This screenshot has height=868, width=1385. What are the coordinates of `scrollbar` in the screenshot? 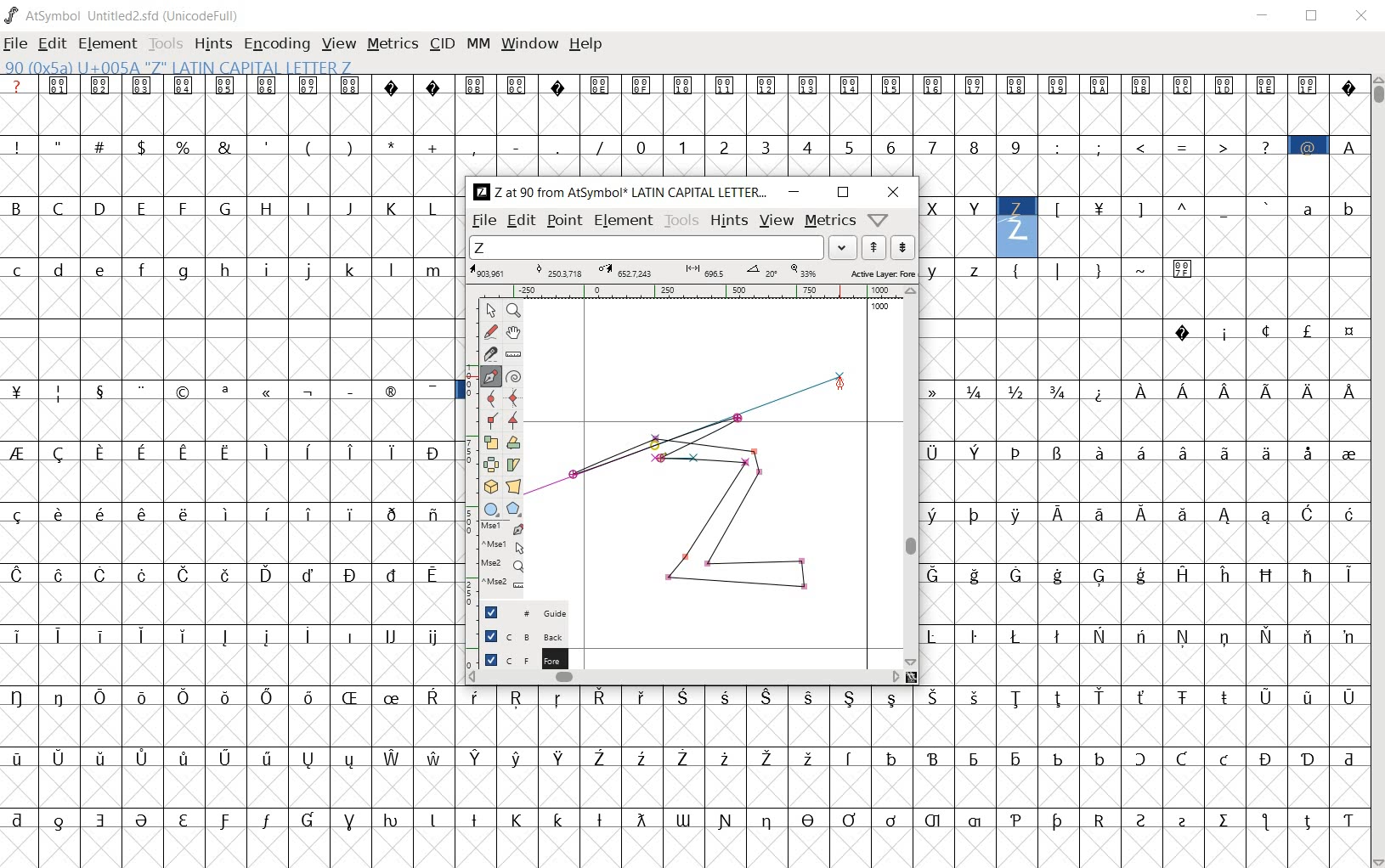 It's located at (1377, 470).